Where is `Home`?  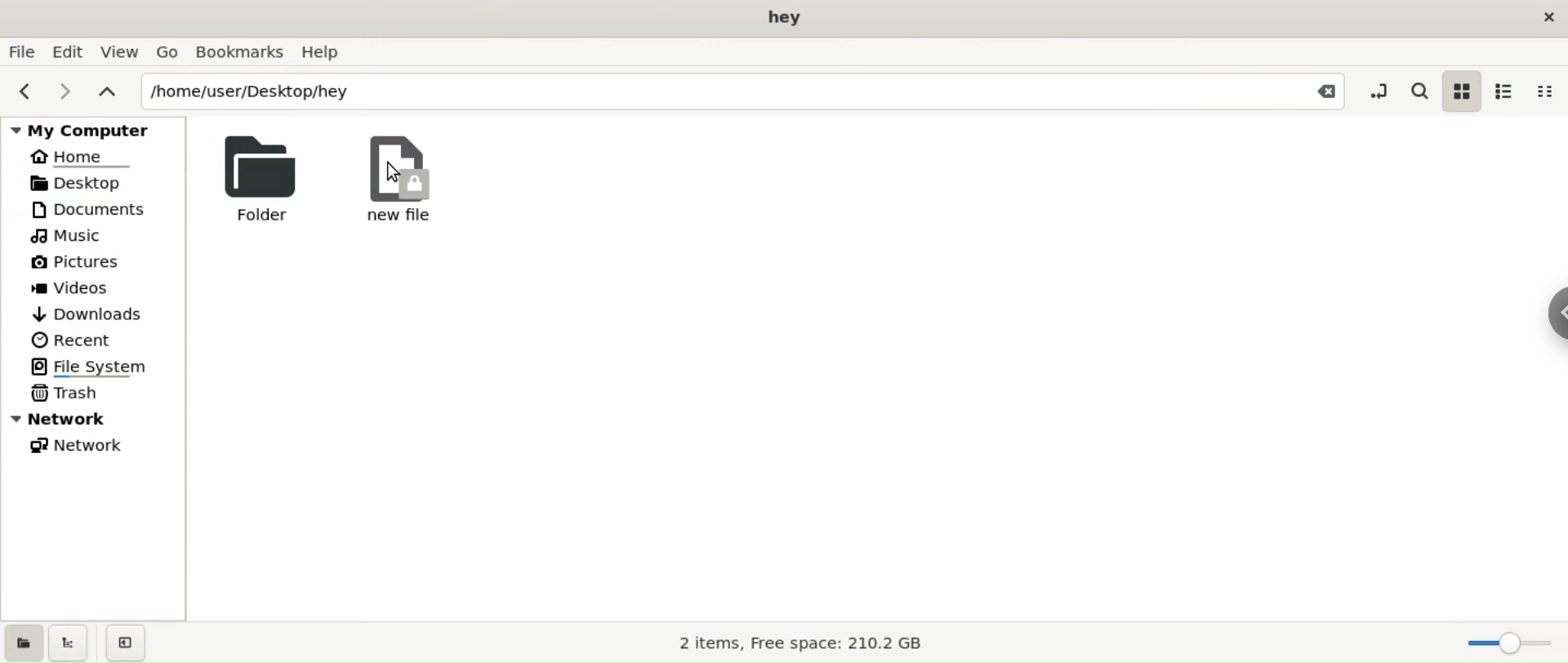
Home is located at coordinates (83, 158).